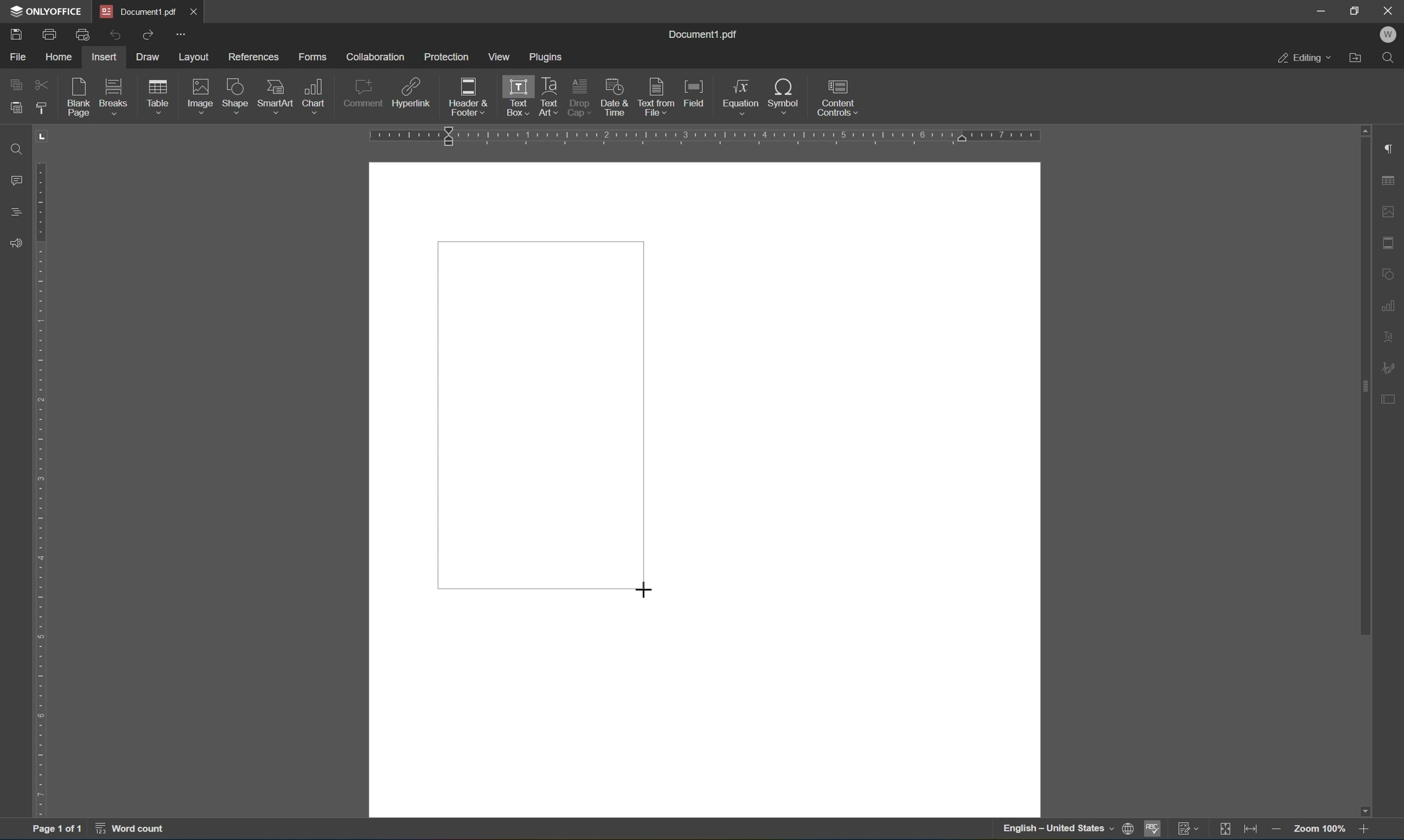 The image size is (1404, 840). Describe the element at coordinates (1155, 828) in the screenshot. I see `spell checking` at that location.